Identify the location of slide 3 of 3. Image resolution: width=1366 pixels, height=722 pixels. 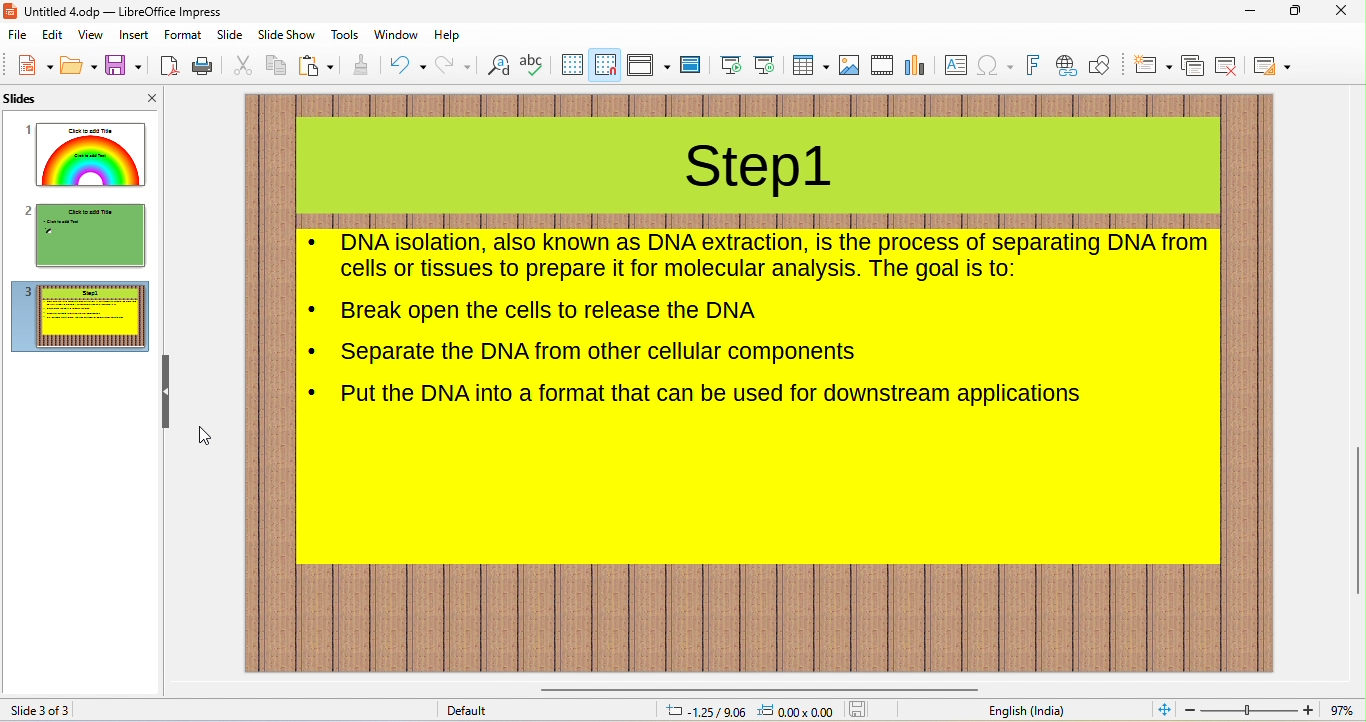
(43, 710).